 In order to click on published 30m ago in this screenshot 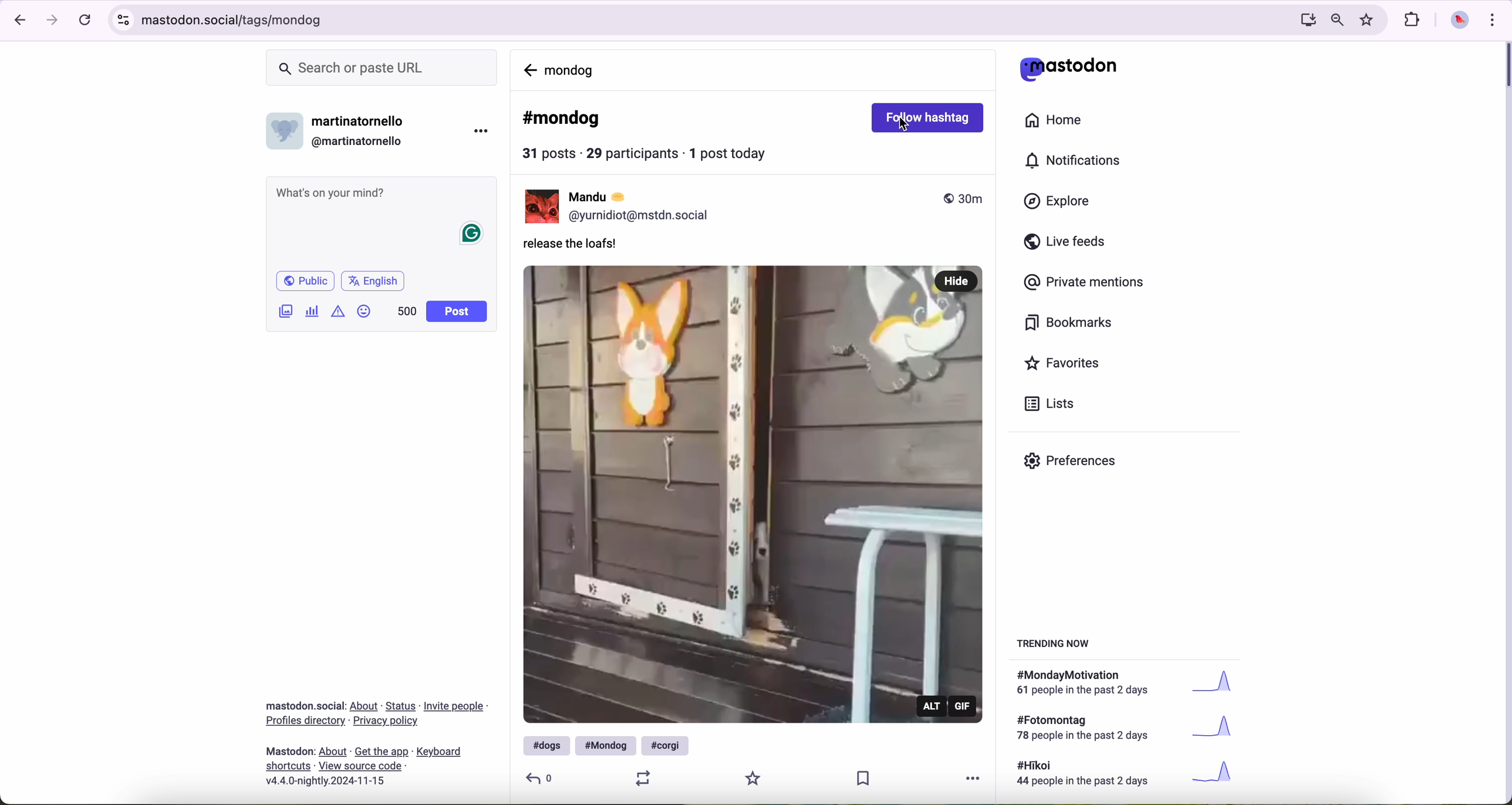, I will do `click(963, 198)`.